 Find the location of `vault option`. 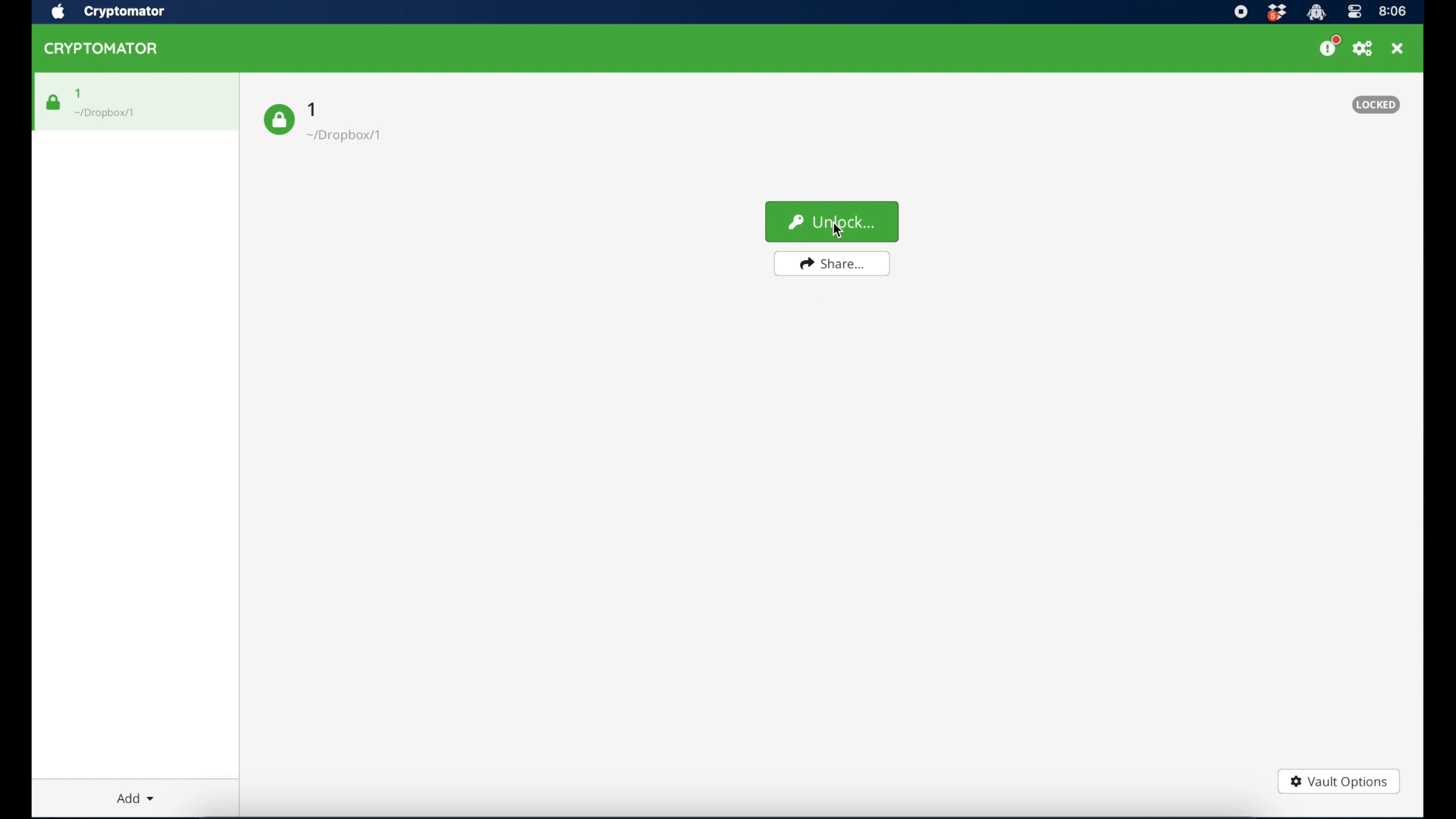

vault option is located at coordinates (1338, 781).